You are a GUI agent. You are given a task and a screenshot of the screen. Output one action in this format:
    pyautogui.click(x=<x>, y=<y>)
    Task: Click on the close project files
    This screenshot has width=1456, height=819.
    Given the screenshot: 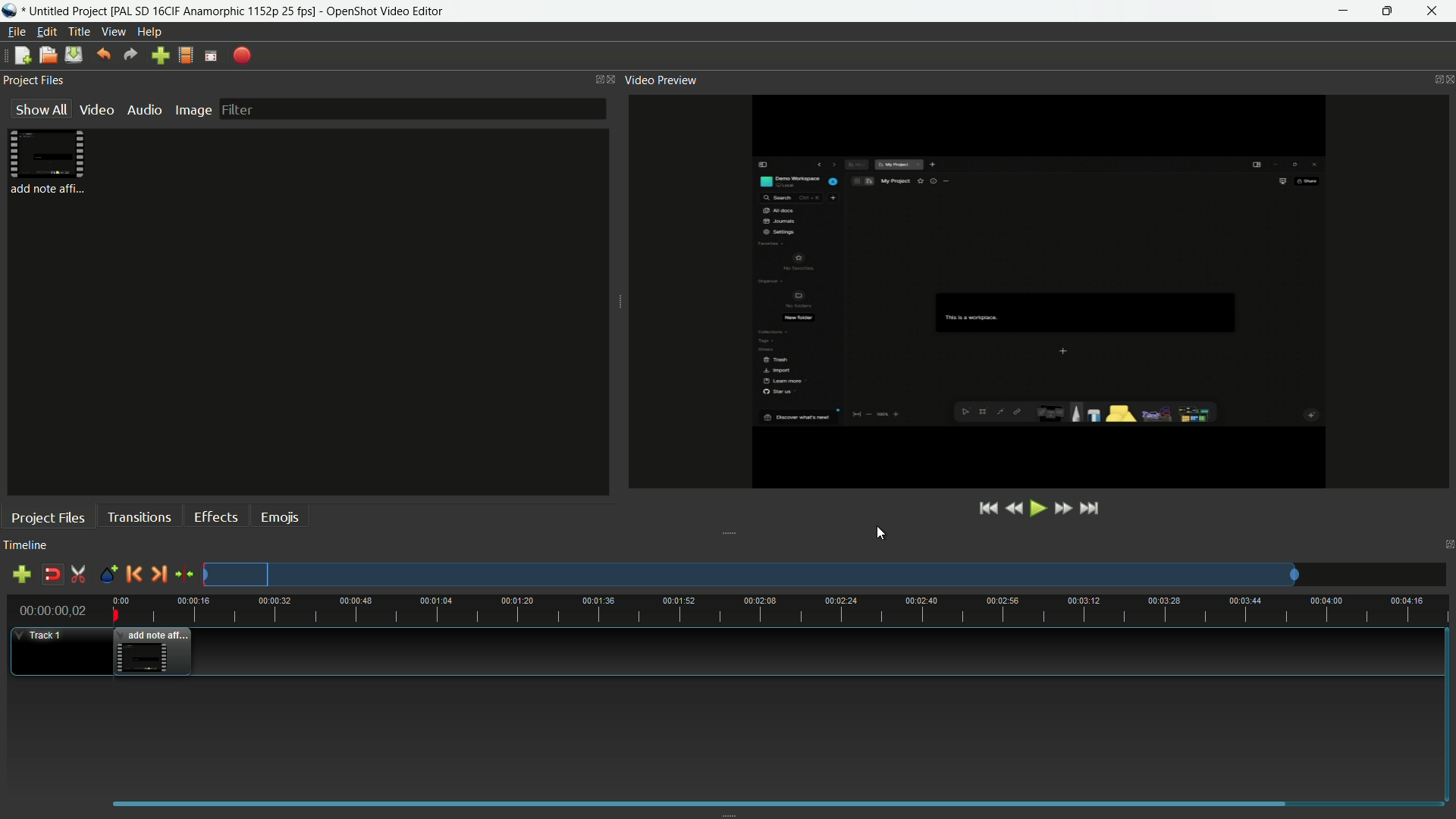 What is the action you would take?
    pyautogui.click(x=612, y=79)
    